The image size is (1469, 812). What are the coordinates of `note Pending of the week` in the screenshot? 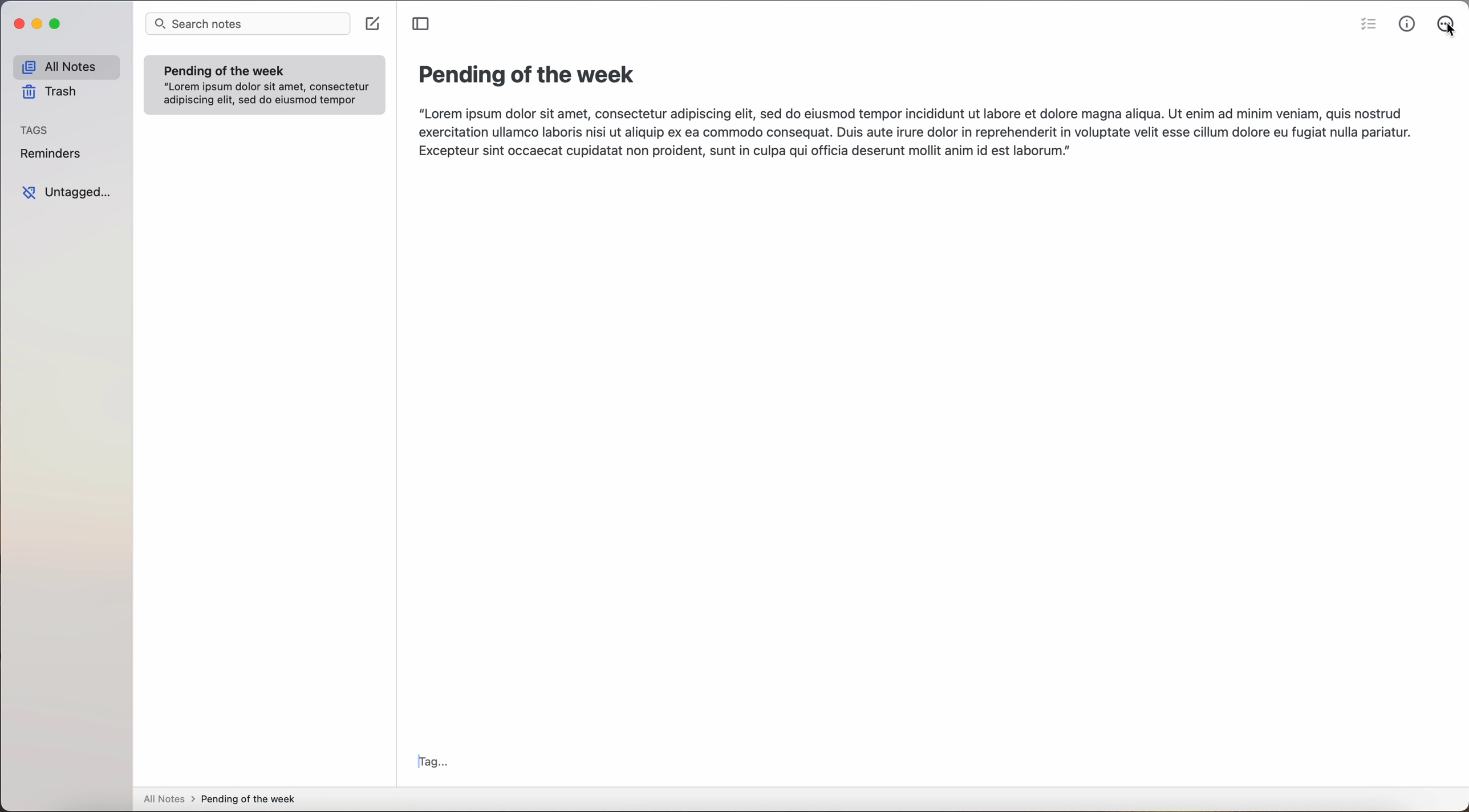 It's located at (265, 84).